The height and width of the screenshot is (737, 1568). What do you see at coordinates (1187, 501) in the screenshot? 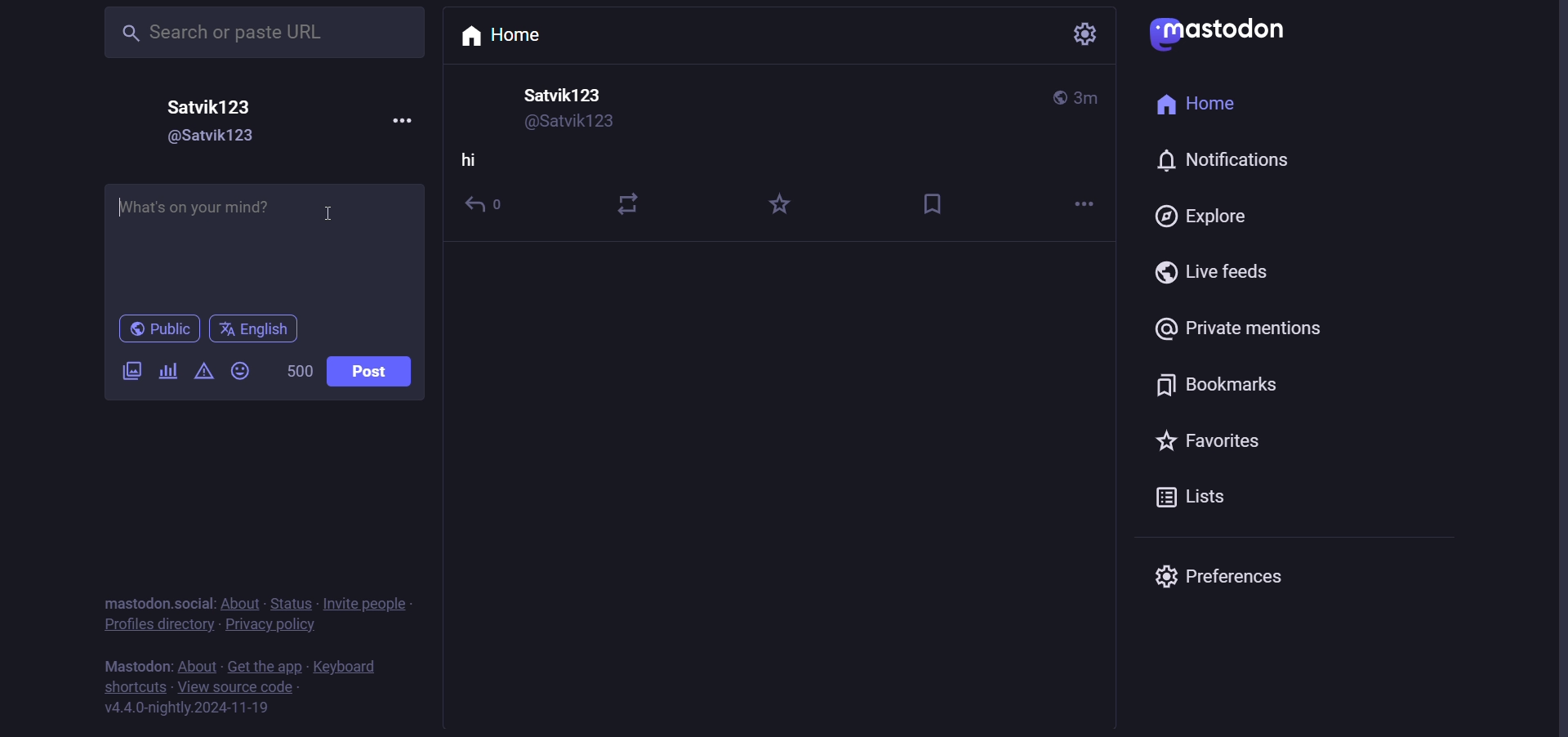
I see `lists` at bounding box center [1187, 501].